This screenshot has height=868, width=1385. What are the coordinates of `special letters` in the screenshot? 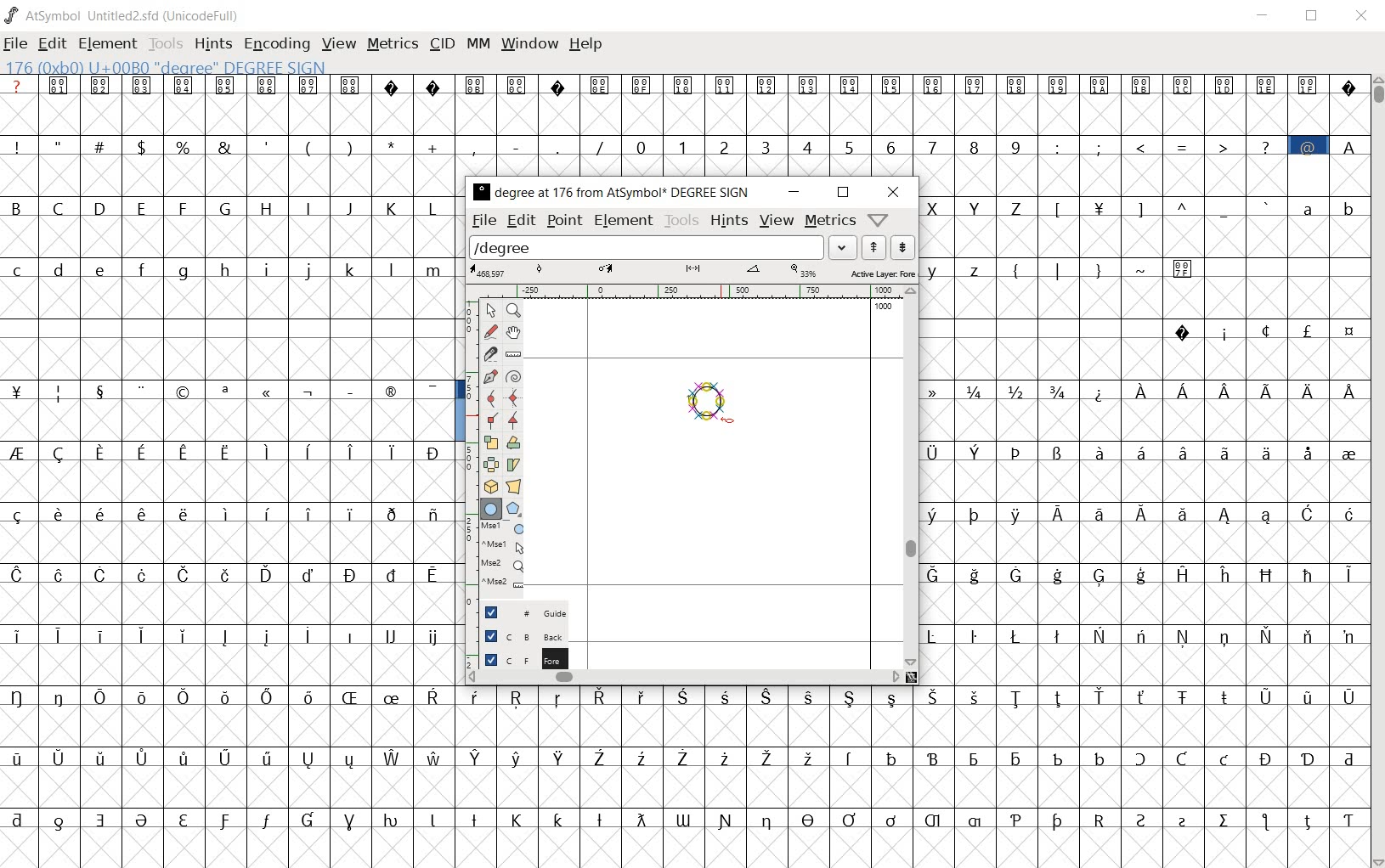 It's located at (1139, 511).